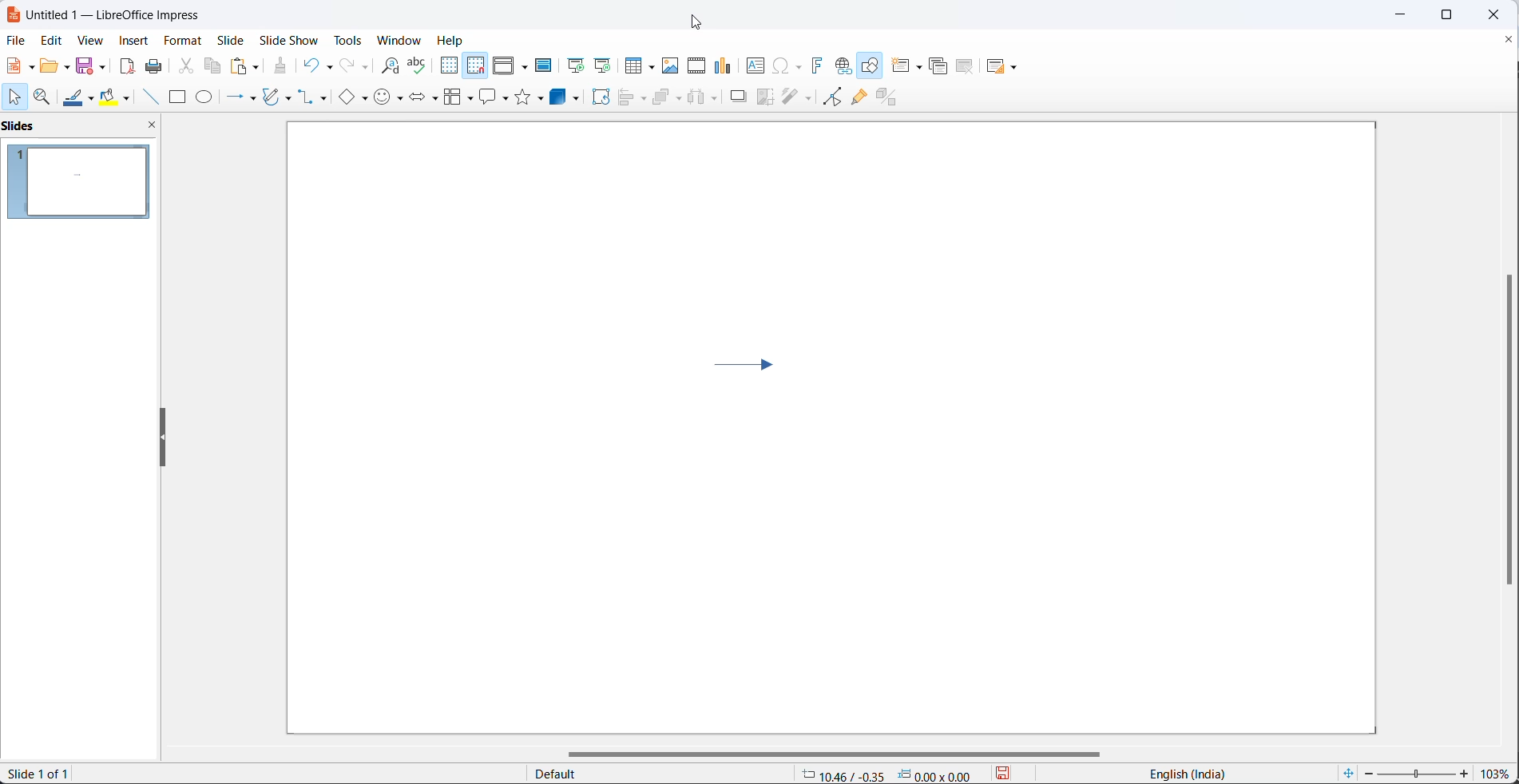  I want to click on start from first slide, so click(572, 65).